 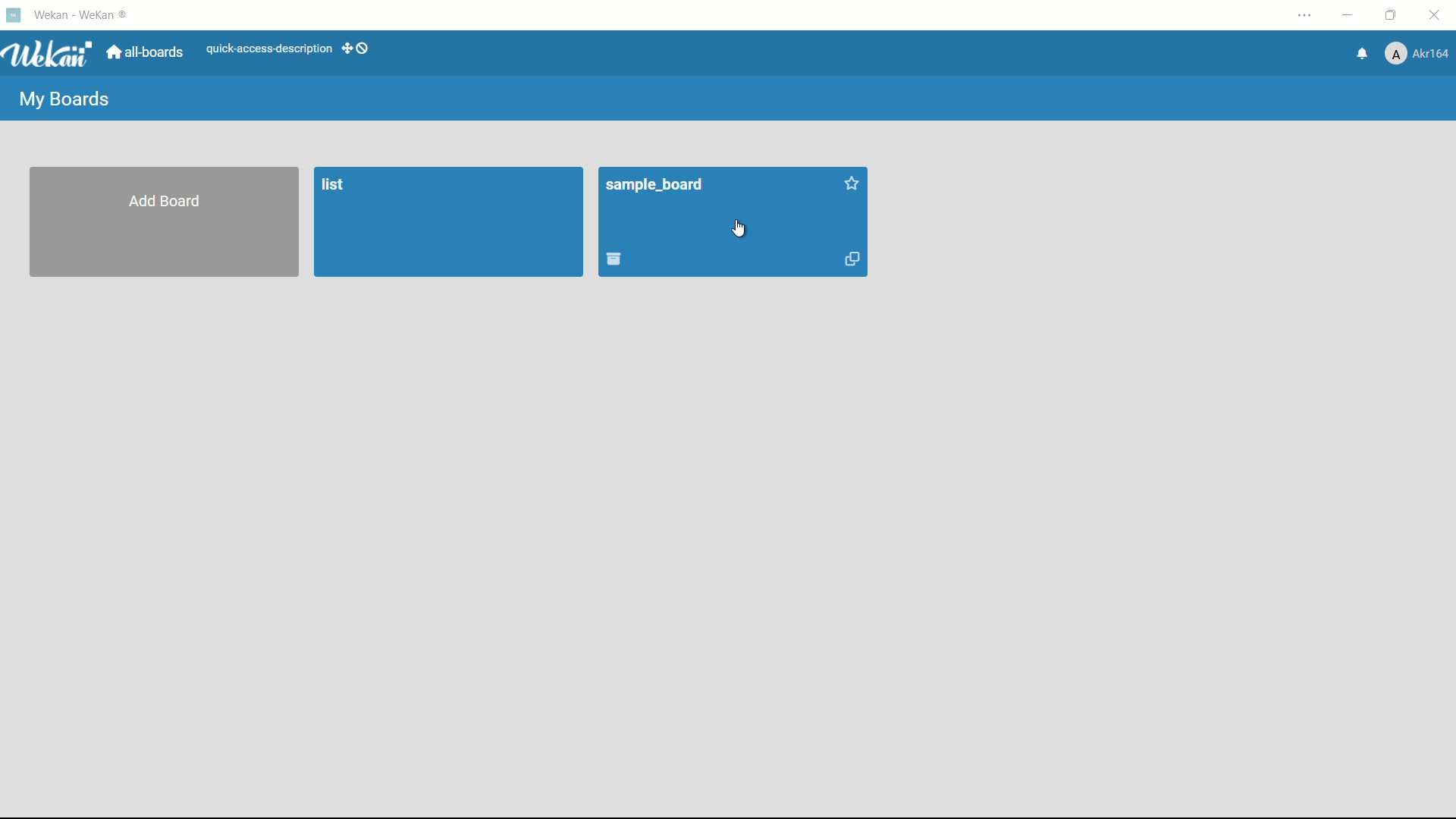 What do you see at coordinates (344, 48) in the screenshot?
I see `add` at bounding box center [344, 48].